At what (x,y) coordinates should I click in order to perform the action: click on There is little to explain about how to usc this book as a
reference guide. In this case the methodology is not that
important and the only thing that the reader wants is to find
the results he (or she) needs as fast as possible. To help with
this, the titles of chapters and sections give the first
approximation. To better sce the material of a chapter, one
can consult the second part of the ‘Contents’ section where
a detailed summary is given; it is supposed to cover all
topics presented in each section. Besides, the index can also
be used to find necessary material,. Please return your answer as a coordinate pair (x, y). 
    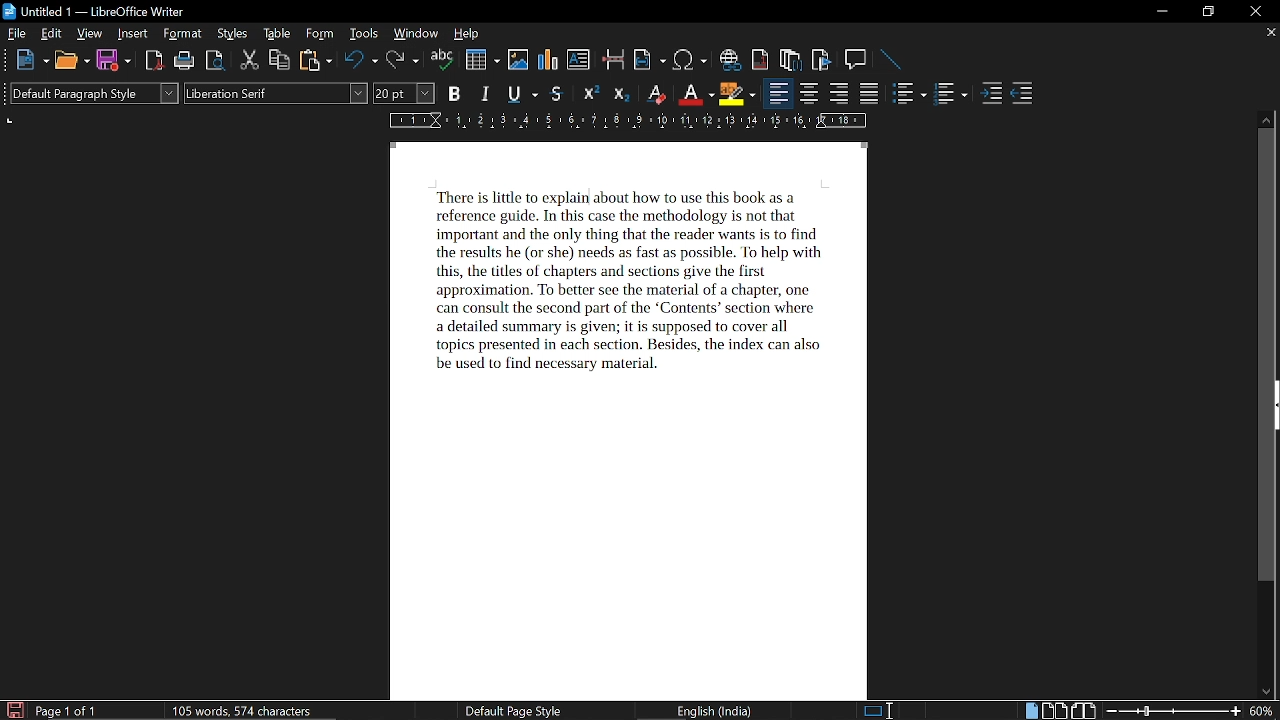
    Looking at the image, I should click on (629, 292).